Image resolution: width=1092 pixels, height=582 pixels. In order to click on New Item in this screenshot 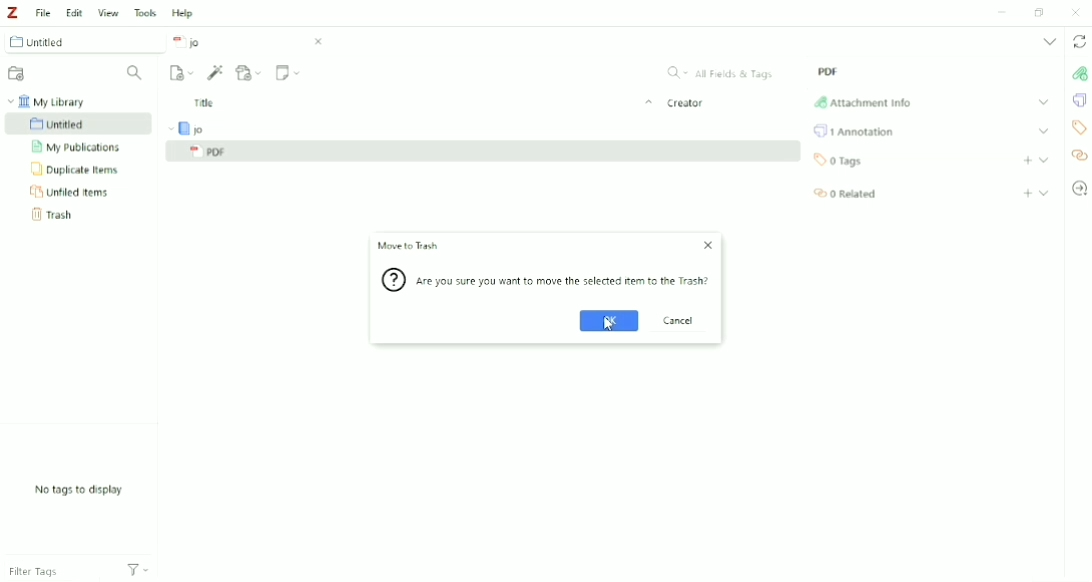, I will do `click(183, 73)`.